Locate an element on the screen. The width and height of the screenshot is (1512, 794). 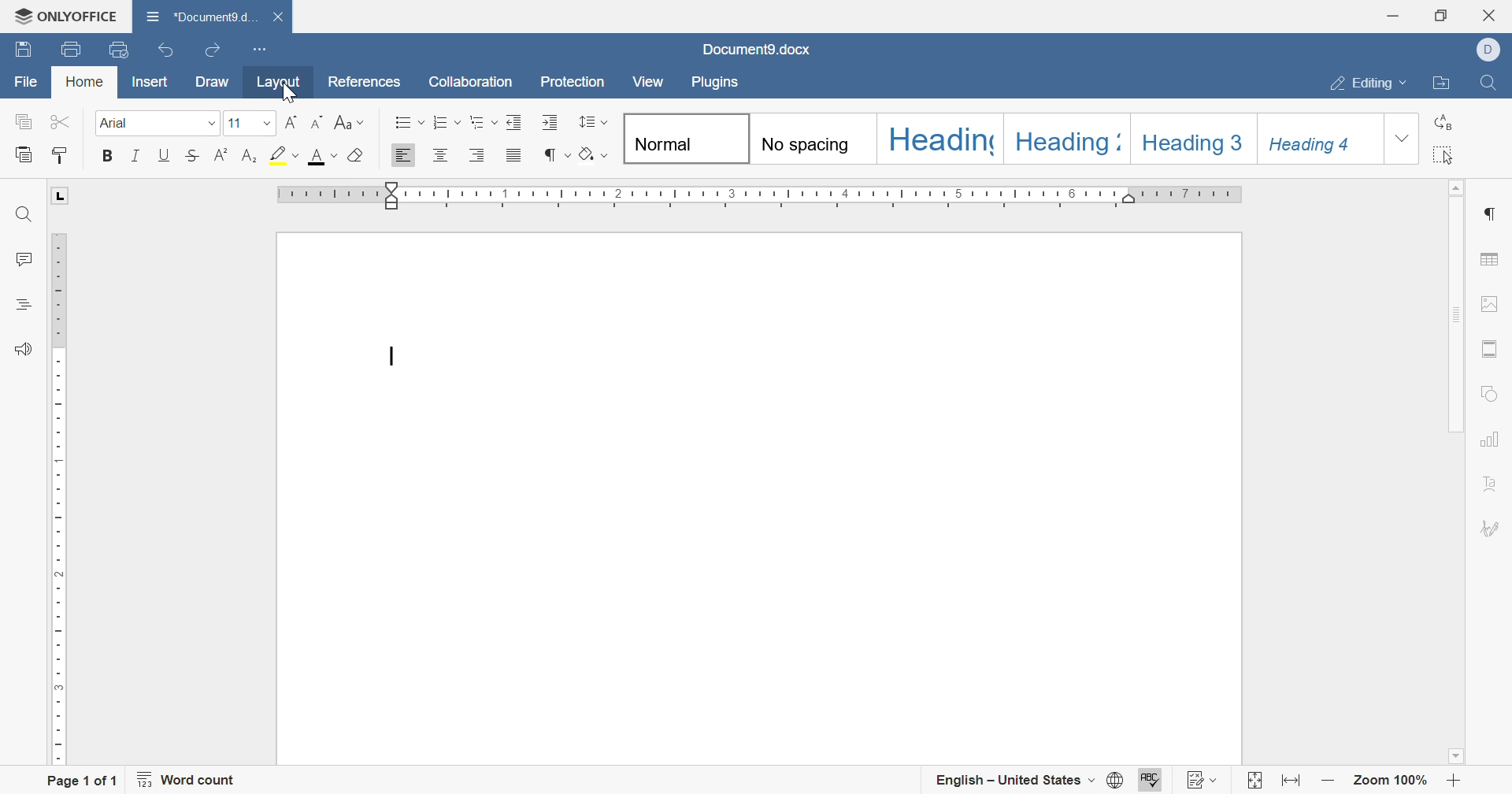
ruler is located at coordinates (762, 198).